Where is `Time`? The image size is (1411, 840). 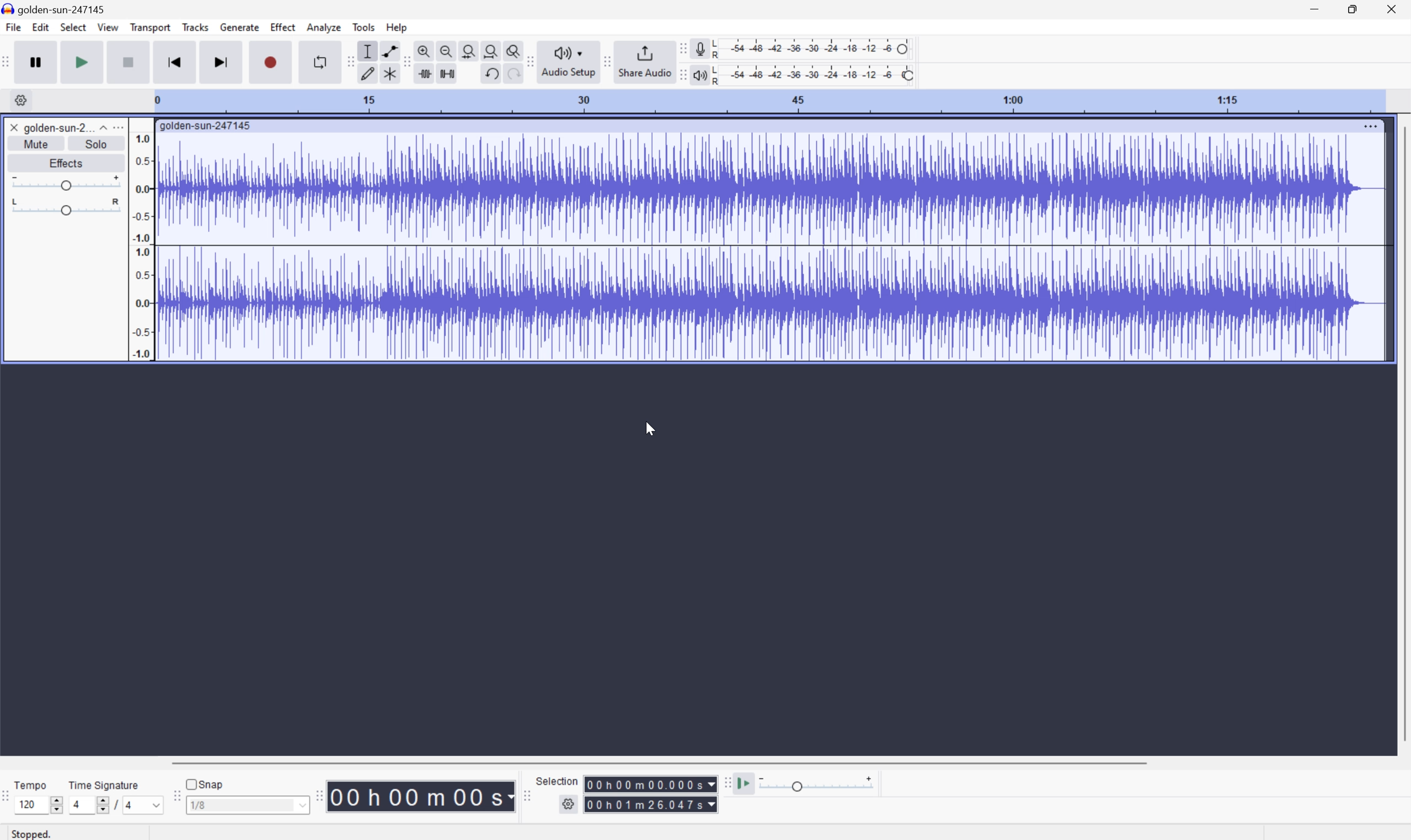 Time is located at coordinates (422, 795).